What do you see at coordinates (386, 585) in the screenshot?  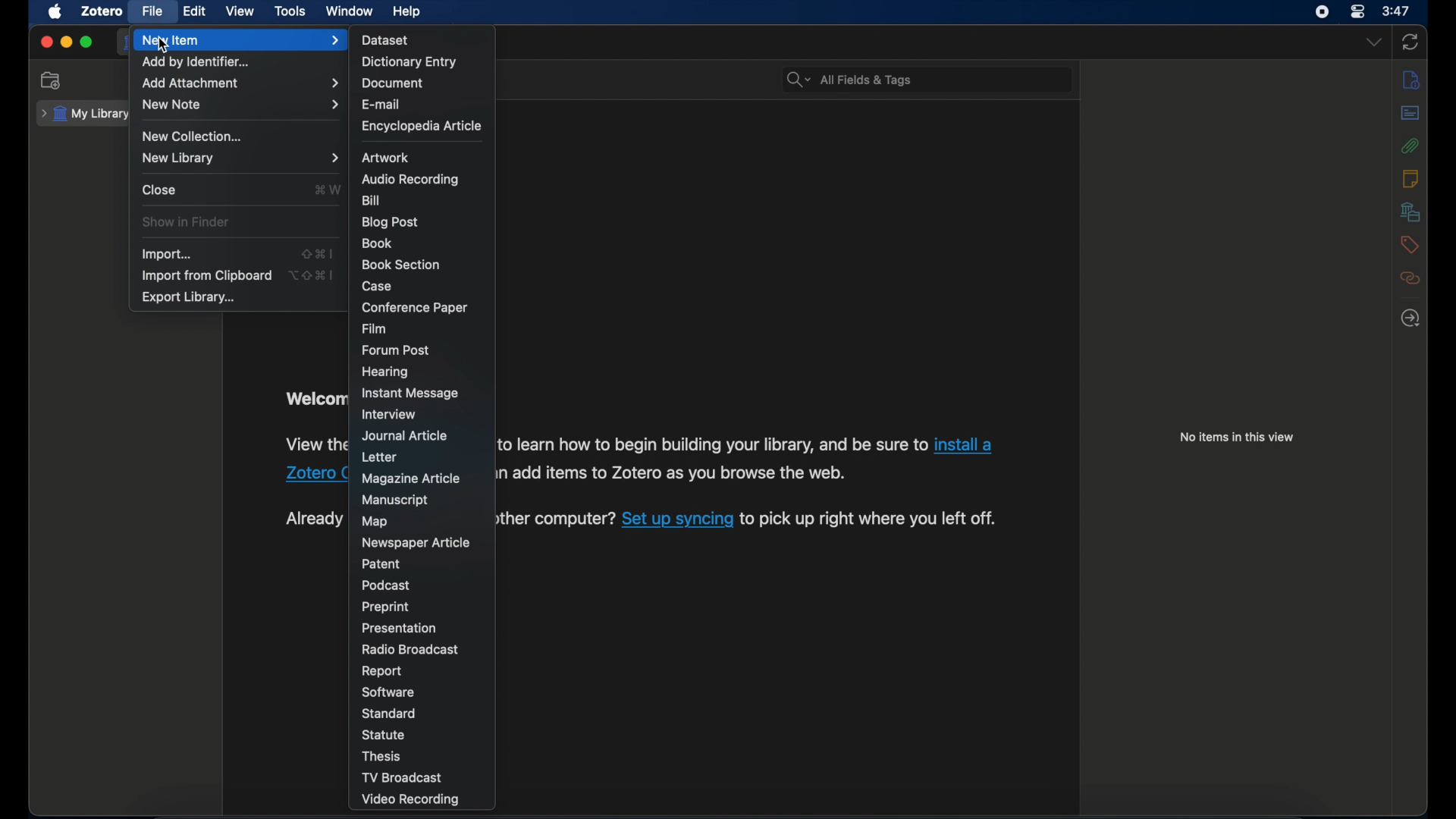 I see `podcast` at bounding box center [386, 585].